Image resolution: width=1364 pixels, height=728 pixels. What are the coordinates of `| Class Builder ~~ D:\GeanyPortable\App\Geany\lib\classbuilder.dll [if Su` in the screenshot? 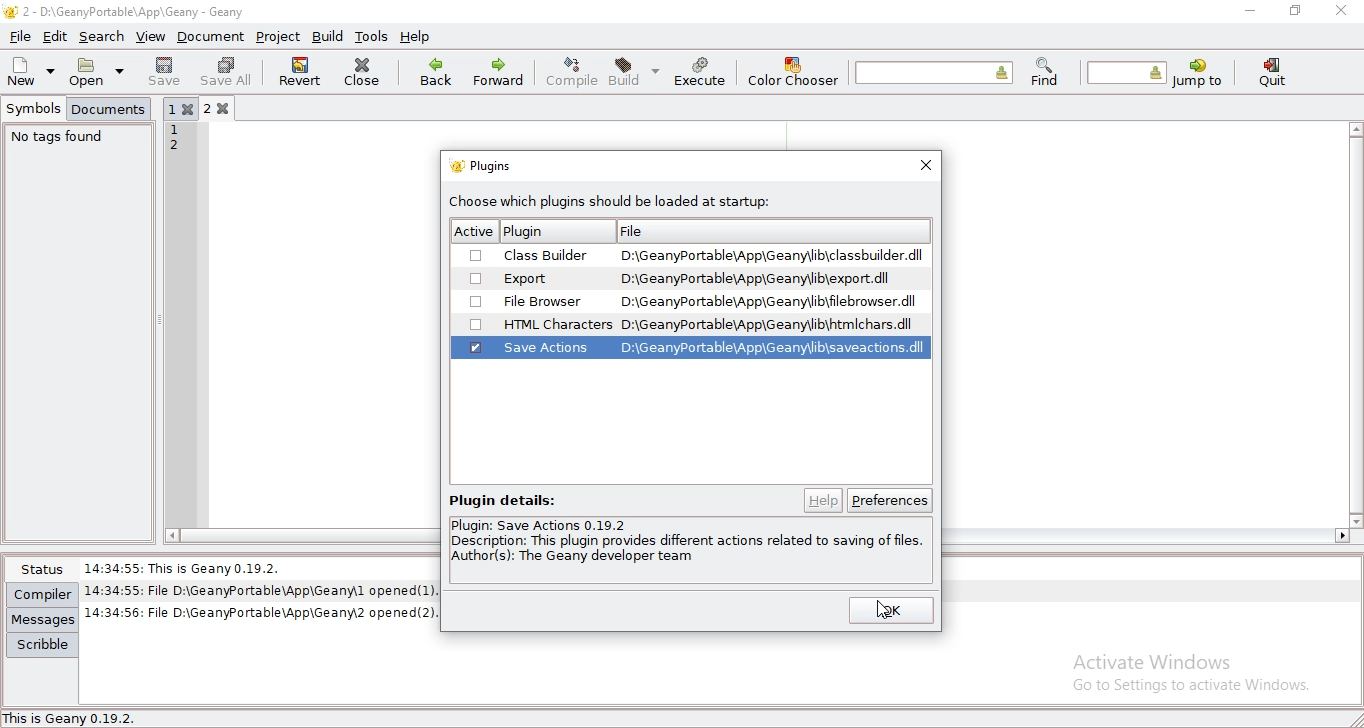 It's located at (692, 254).